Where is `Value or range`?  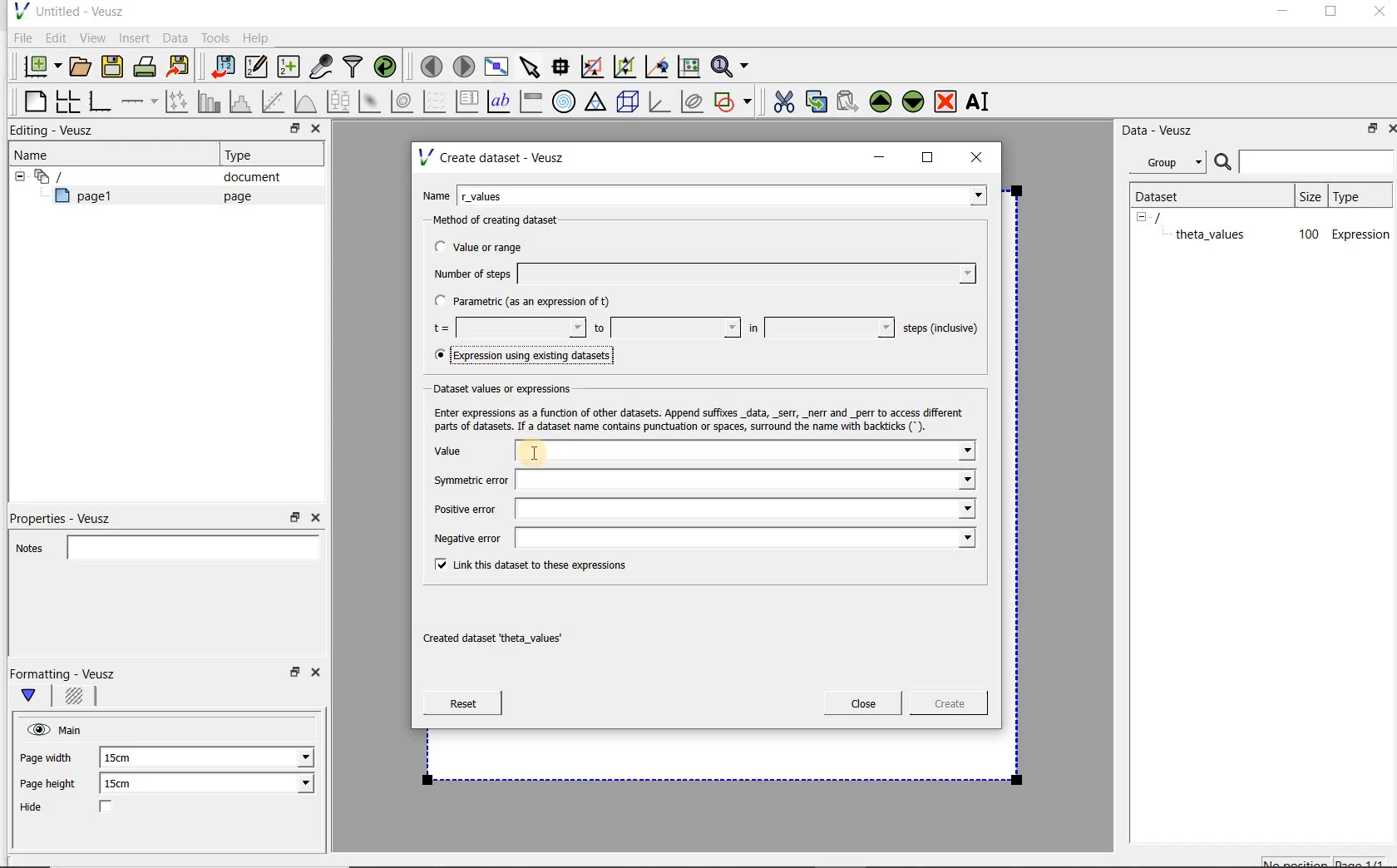 Value or range is located at coordinates (493, 244).